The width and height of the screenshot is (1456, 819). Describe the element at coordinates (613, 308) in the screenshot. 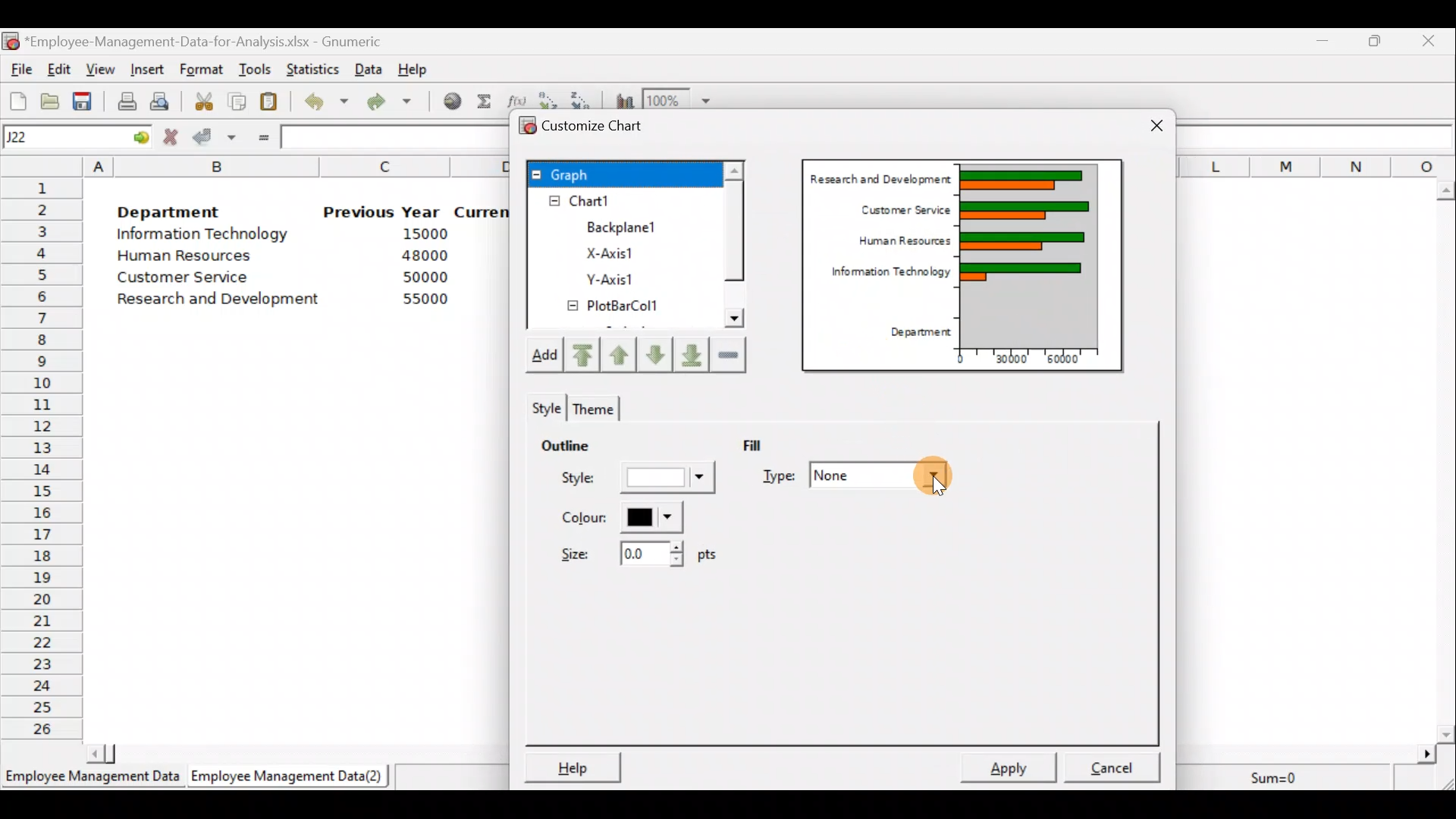

I see `PlotBarCol1` at that location.